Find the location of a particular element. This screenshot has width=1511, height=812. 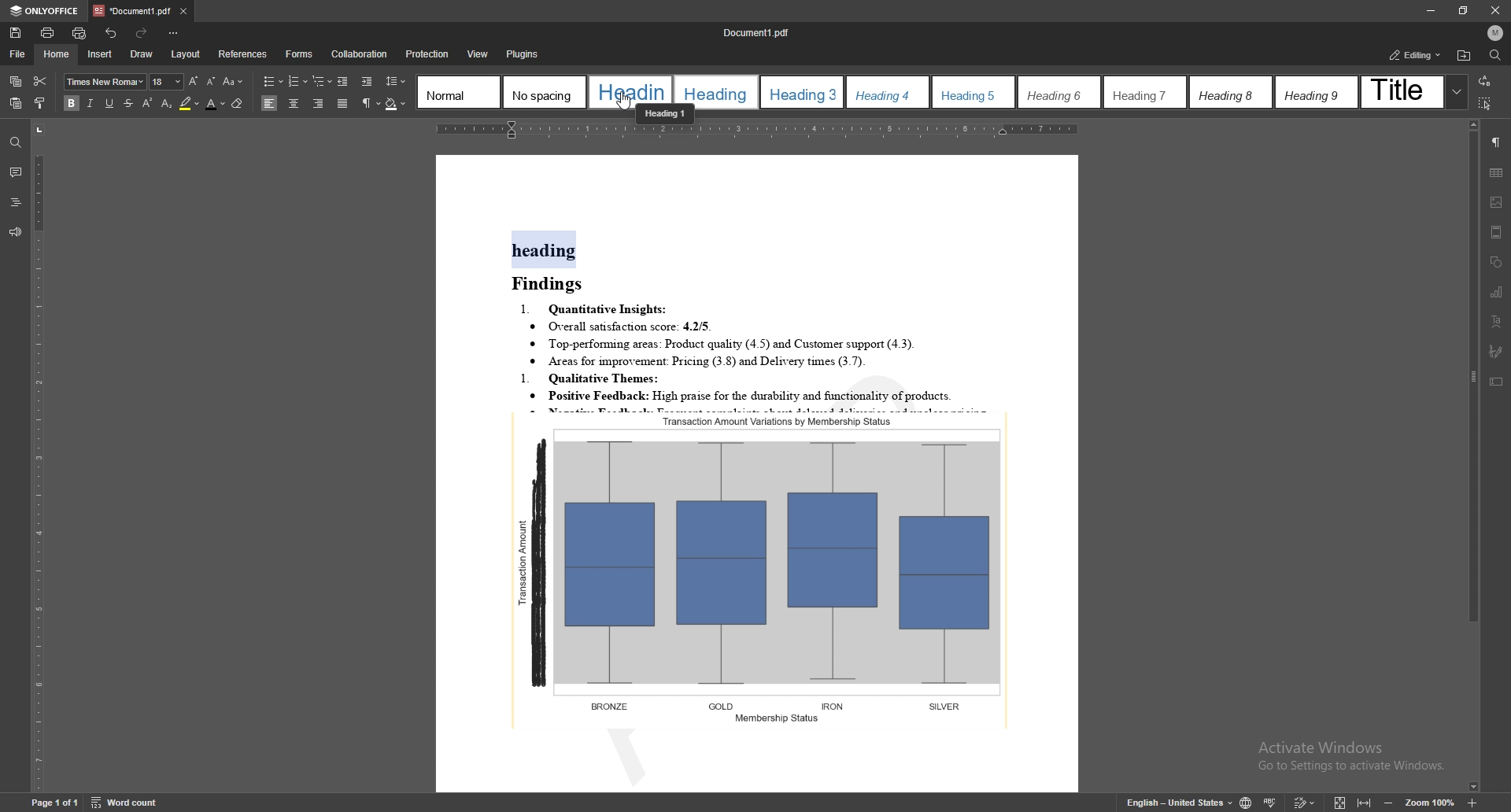

insert is located at coordinates (99, 54).